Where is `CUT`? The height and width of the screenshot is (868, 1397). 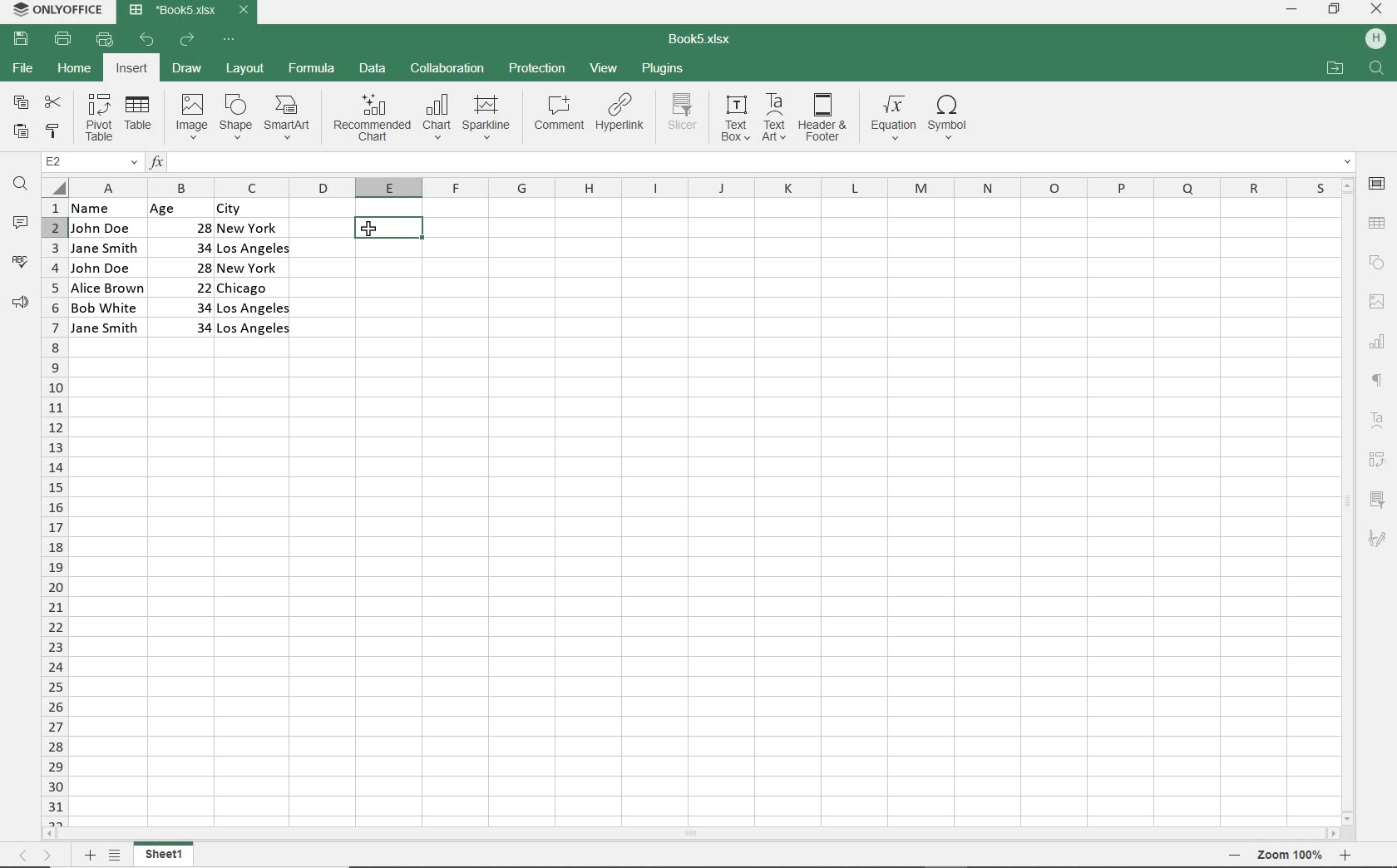 CUT is located at coordinates (54, 101).